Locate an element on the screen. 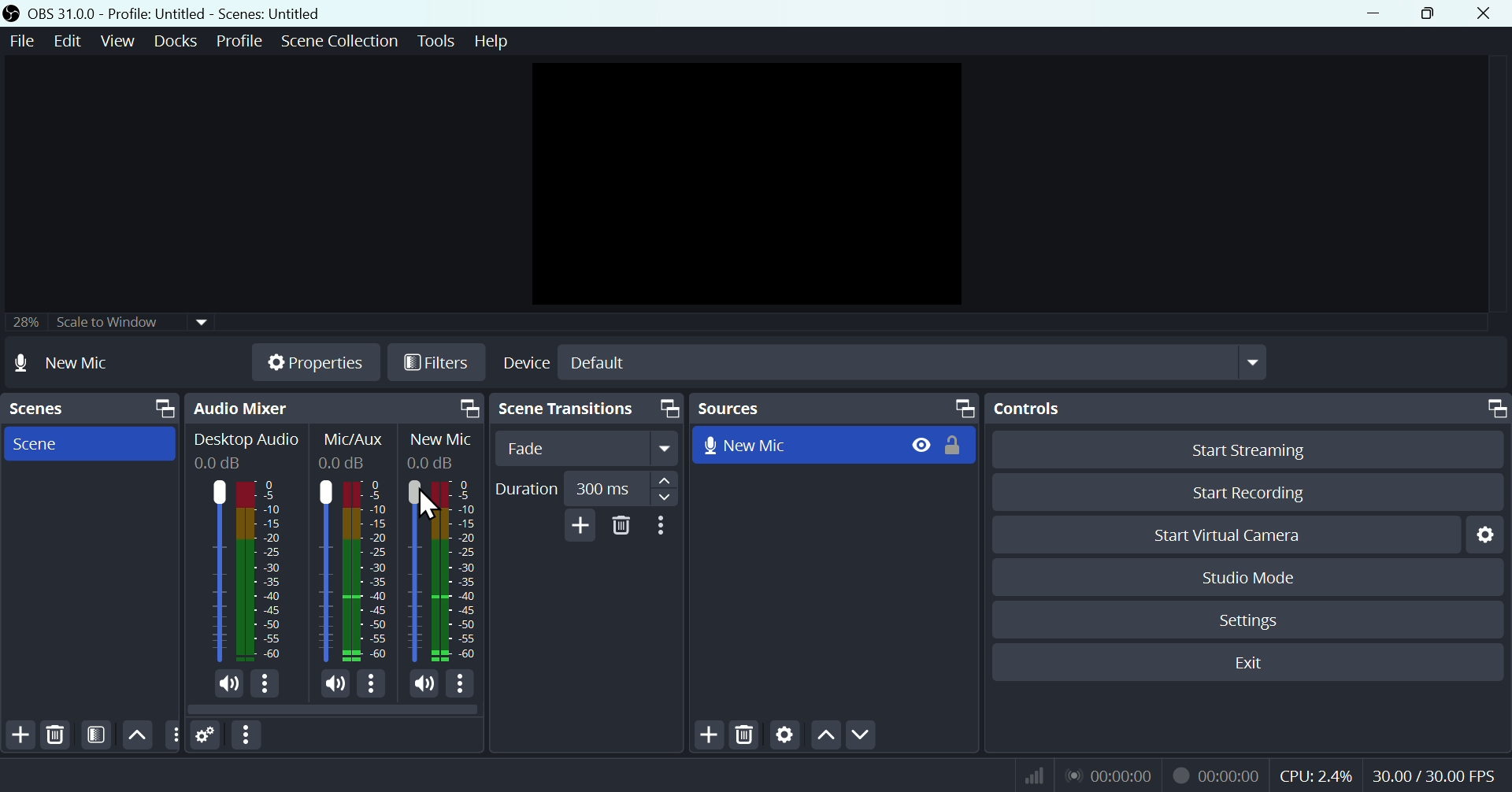 The width and height of the screenshot is (1512, 792). New Mic is located at coordinates (442, 440).